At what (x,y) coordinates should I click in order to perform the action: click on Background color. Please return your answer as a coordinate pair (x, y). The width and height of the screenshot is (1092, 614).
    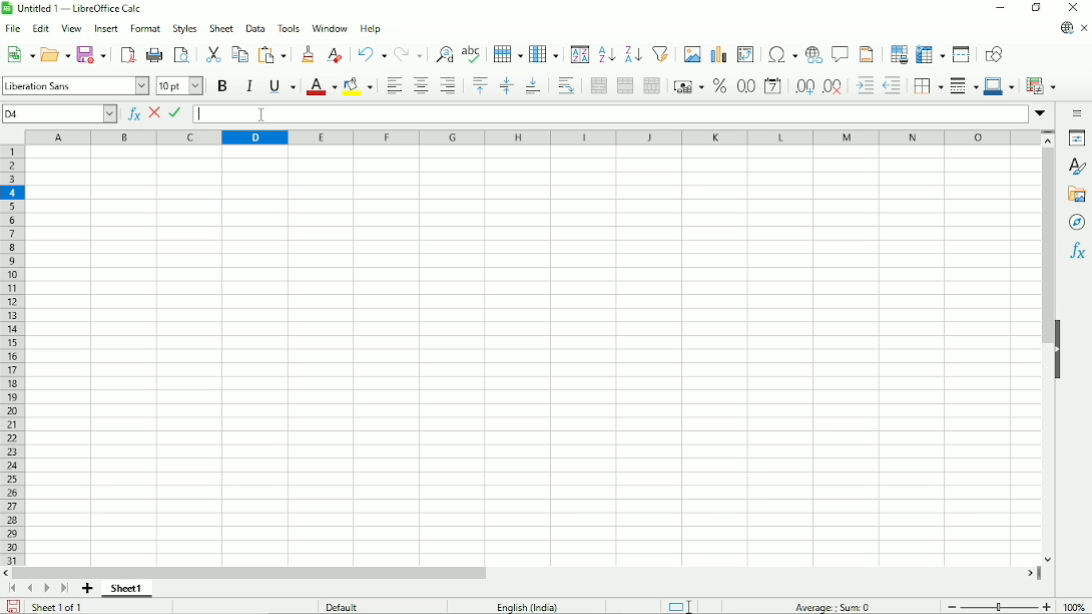
    Looking at the image, I should click on (359, 87).